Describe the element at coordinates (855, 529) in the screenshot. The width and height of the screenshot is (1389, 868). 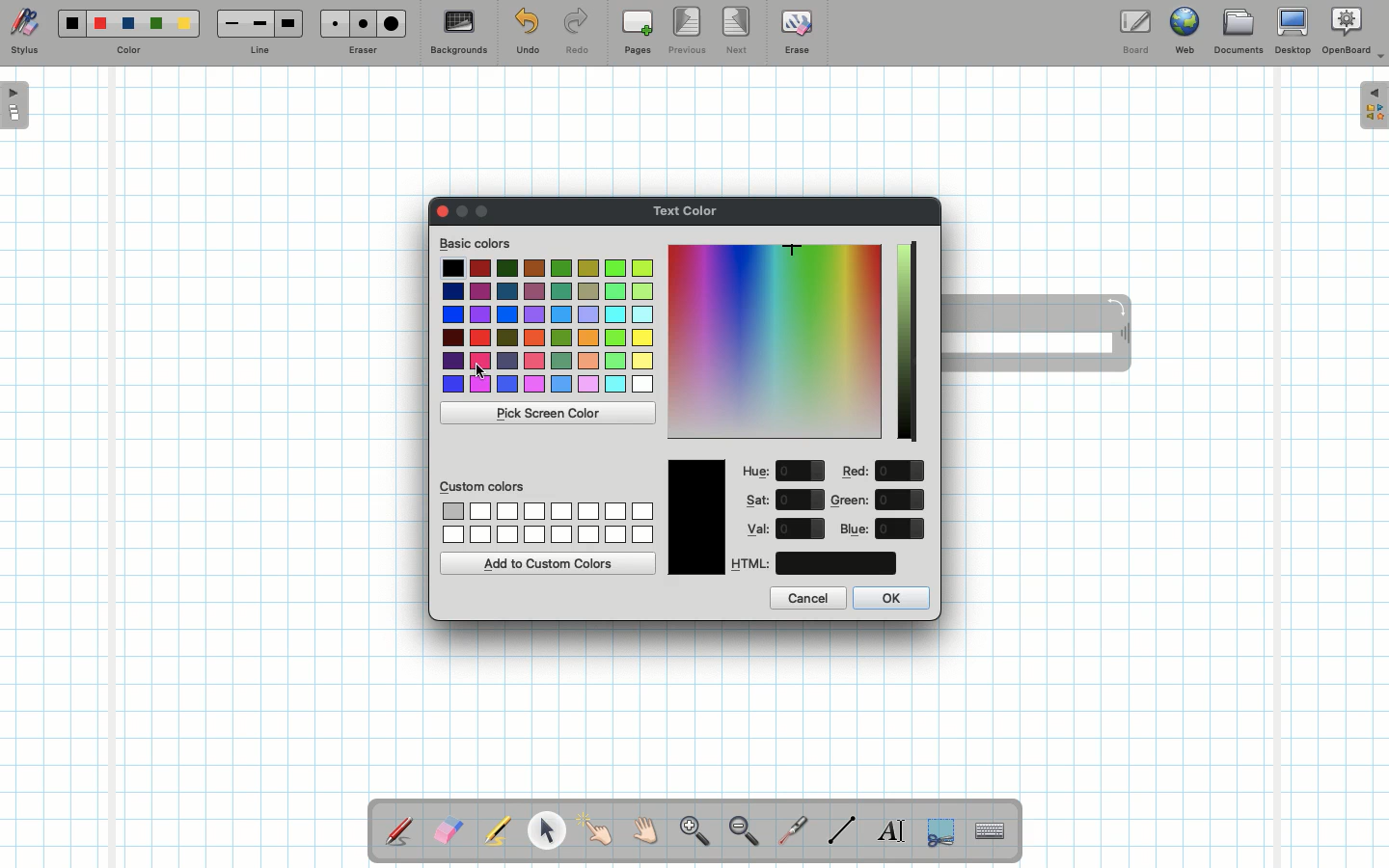
I see `Blue` at that location.